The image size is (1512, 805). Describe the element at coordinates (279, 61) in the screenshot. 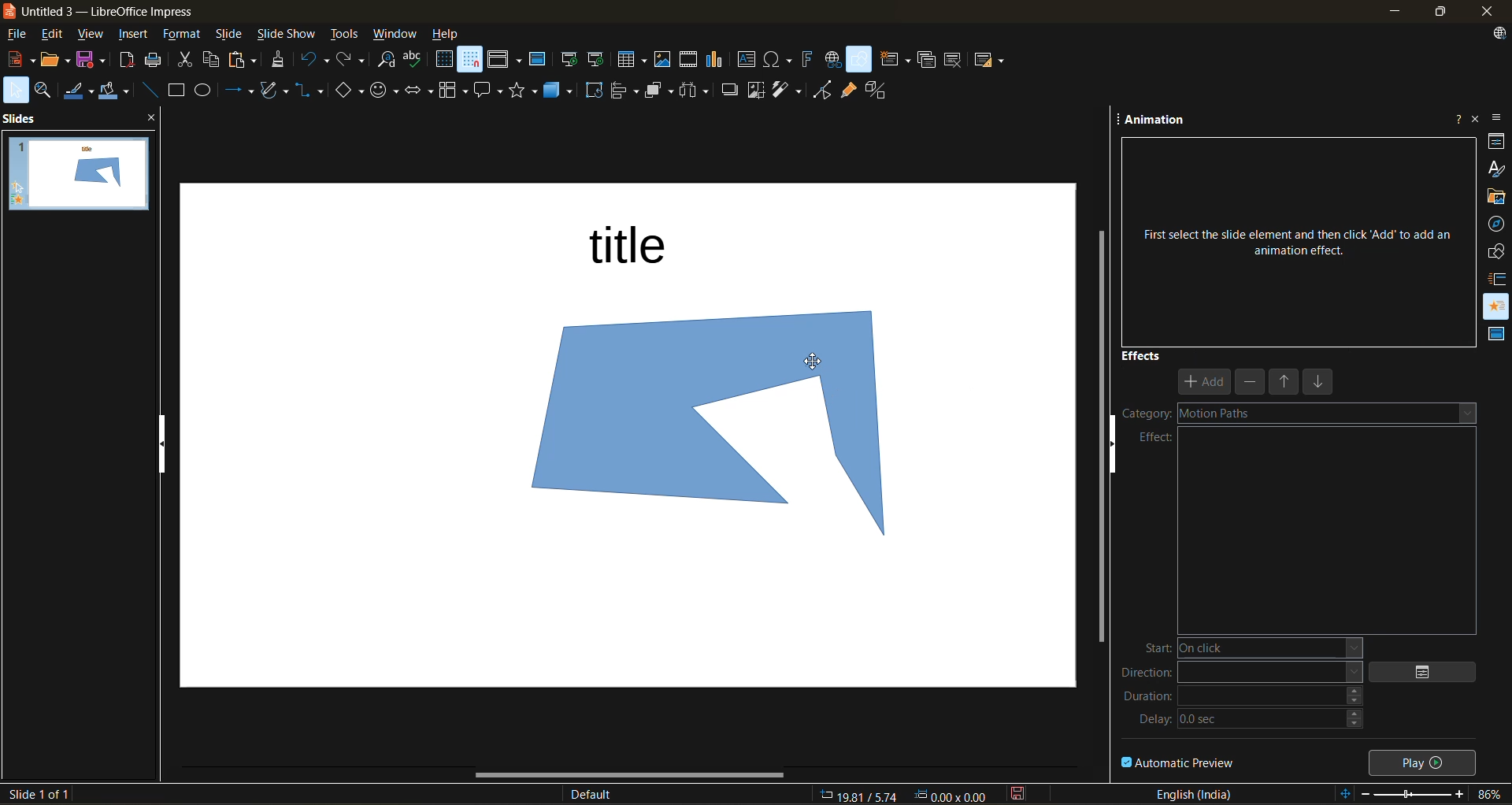

I see `clone formatting` at that location.